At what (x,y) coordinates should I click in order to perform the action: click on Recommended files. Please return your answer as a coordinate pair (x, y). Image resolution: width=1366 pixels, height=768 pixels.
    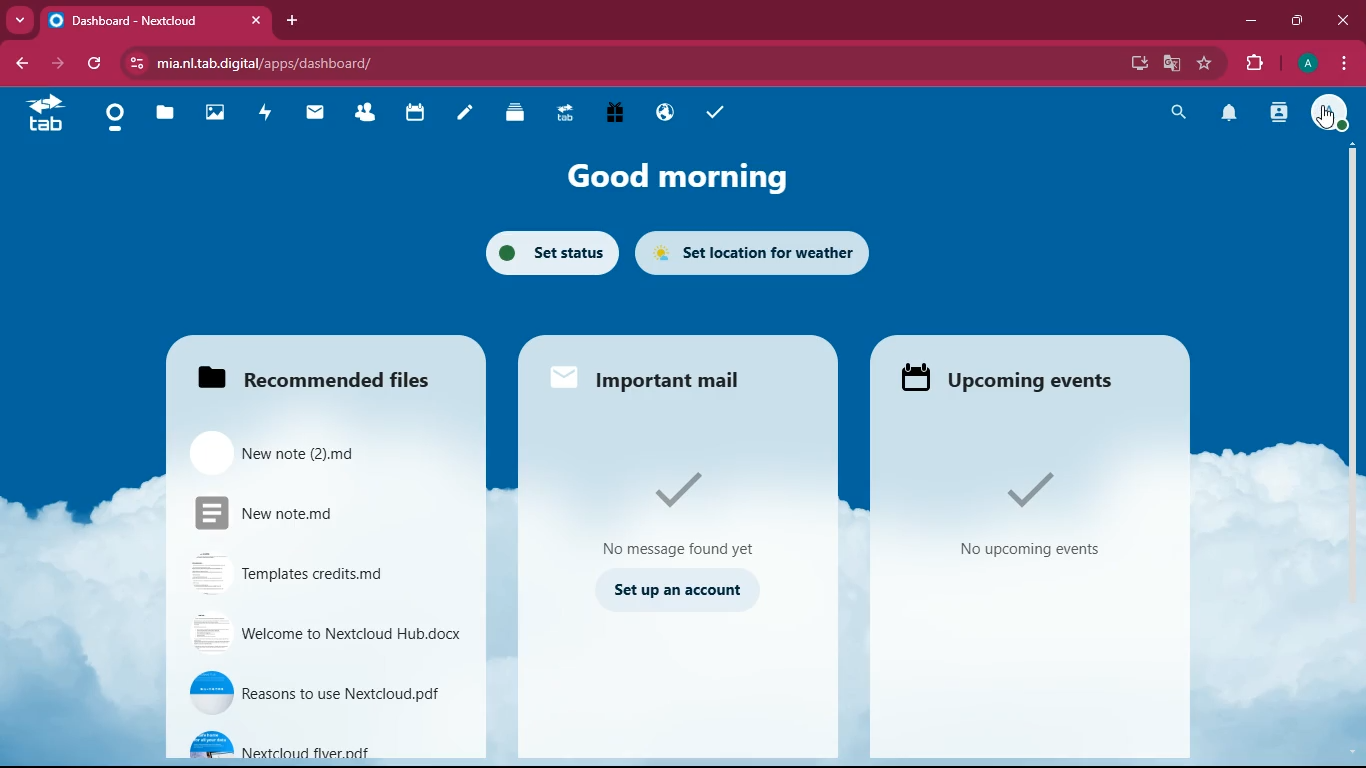
    Looking at the image, I should click on (320, 374).